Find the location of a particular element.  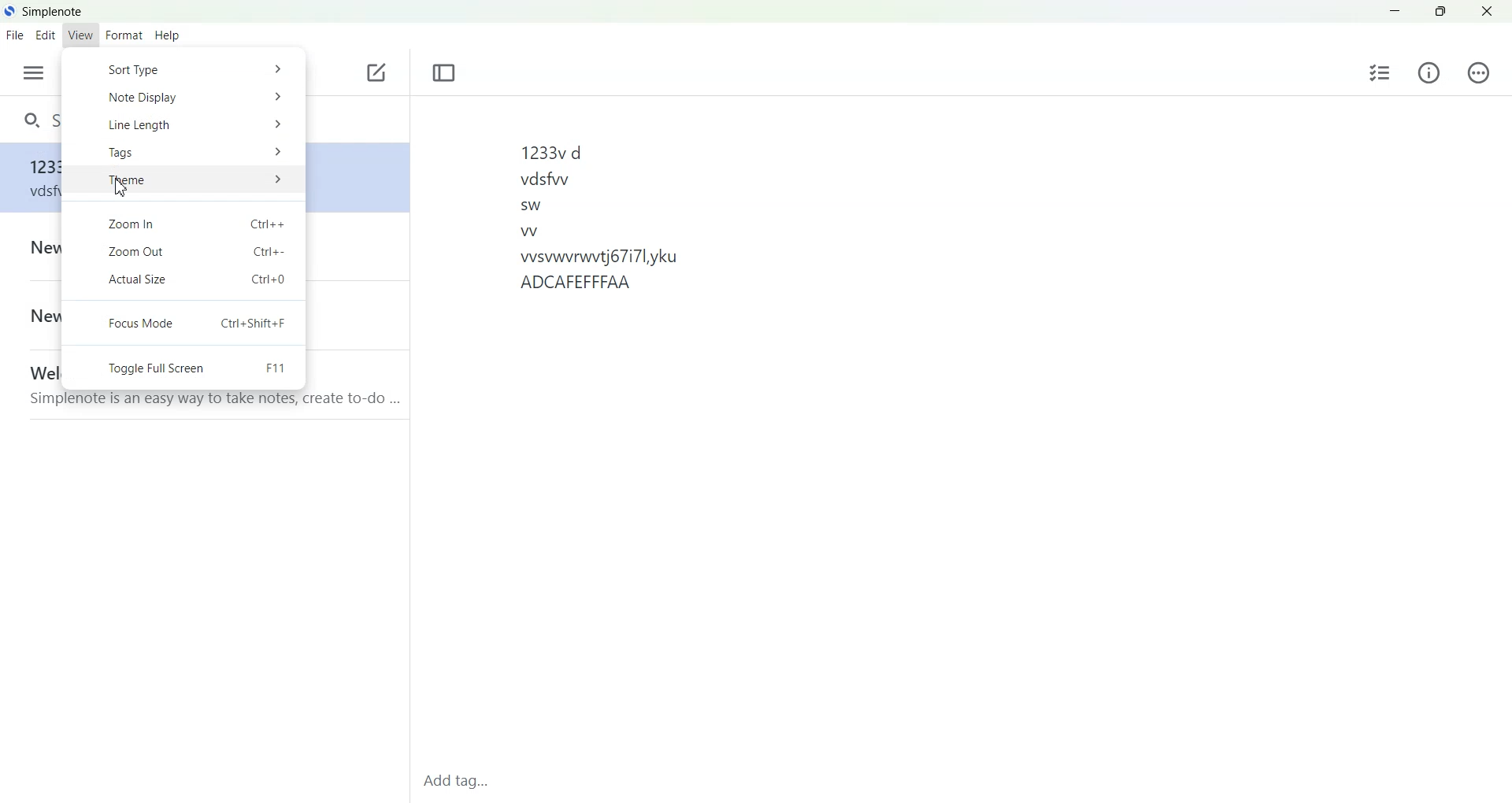

Theme is located at coordinates (183, 181).